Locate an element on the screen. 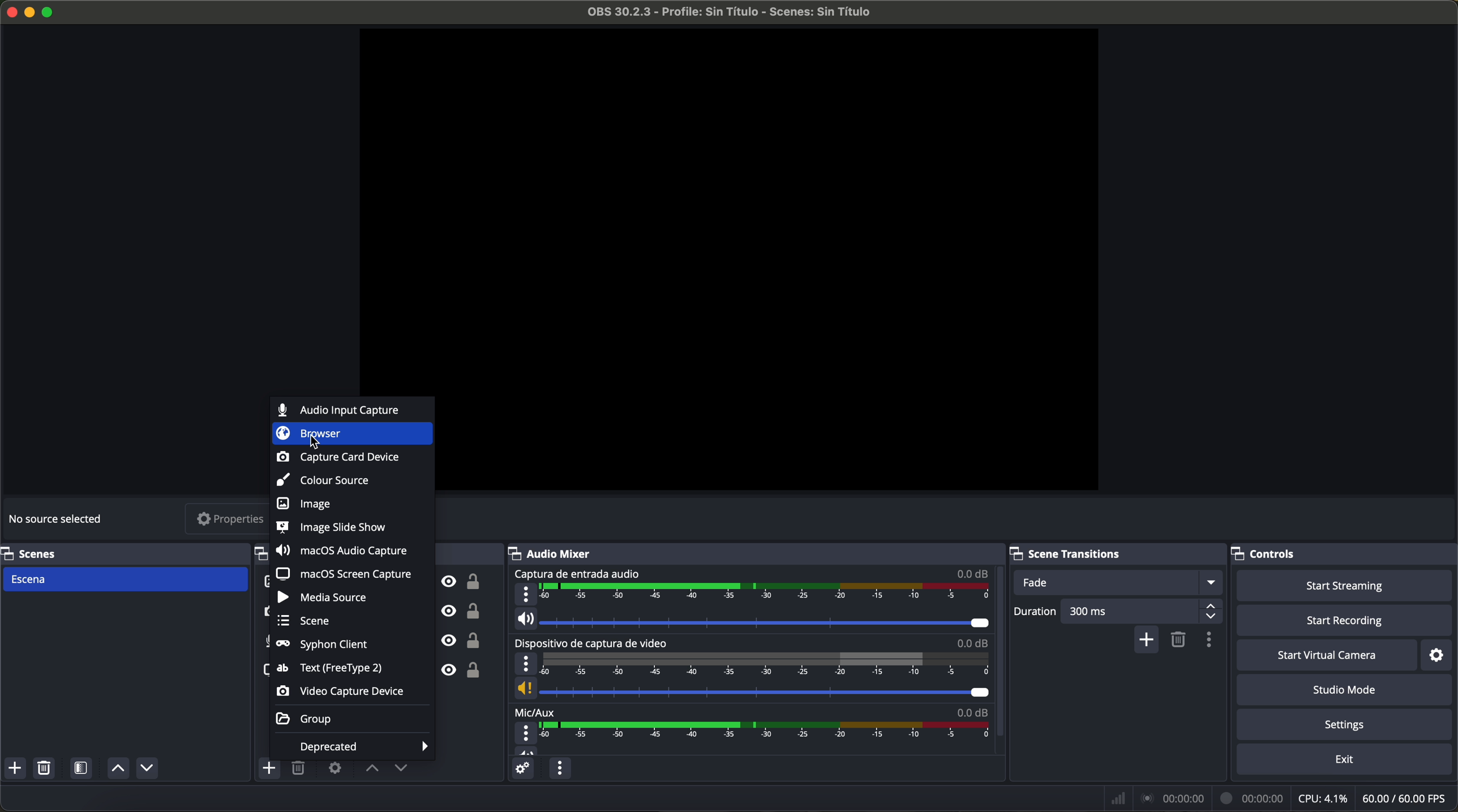 This screenshot has height=812, width=1458. timeline is located at coordinates (764, 664).